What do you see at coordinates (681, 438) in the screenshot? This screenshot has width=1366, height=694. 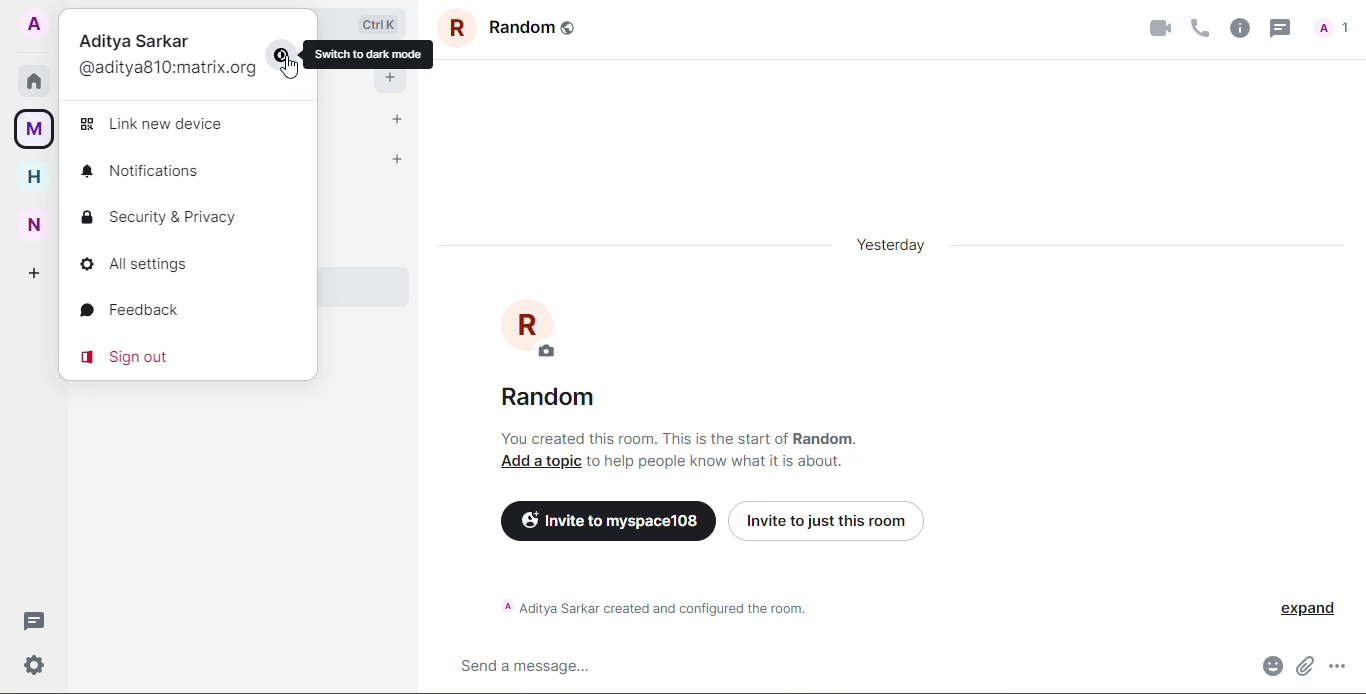 I see `info` at bounding box center [681, 438].